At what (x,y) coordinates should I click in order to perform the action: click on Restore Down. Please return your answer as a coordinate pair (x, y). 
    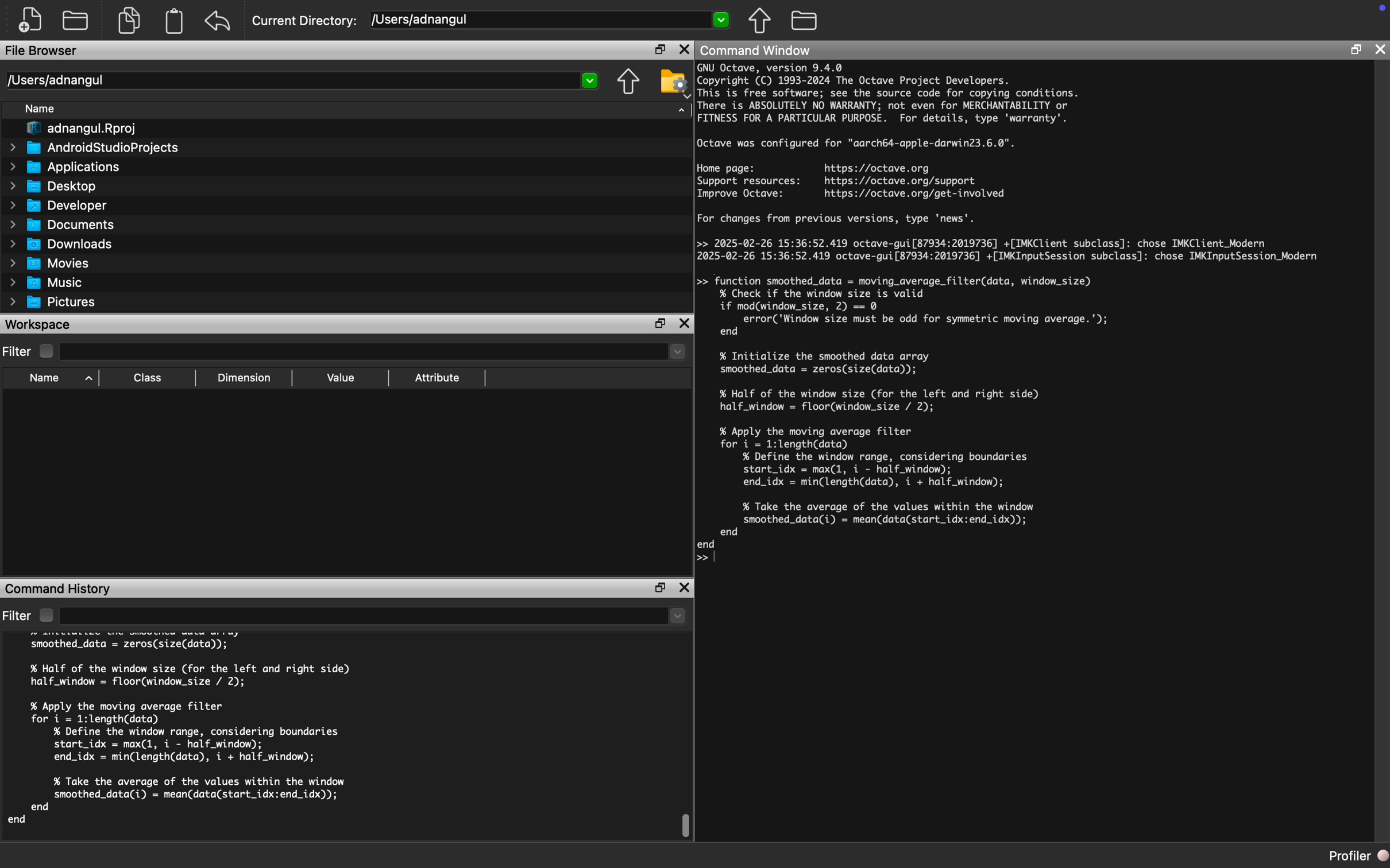
    Looking at the image, I should click on (662, 588).